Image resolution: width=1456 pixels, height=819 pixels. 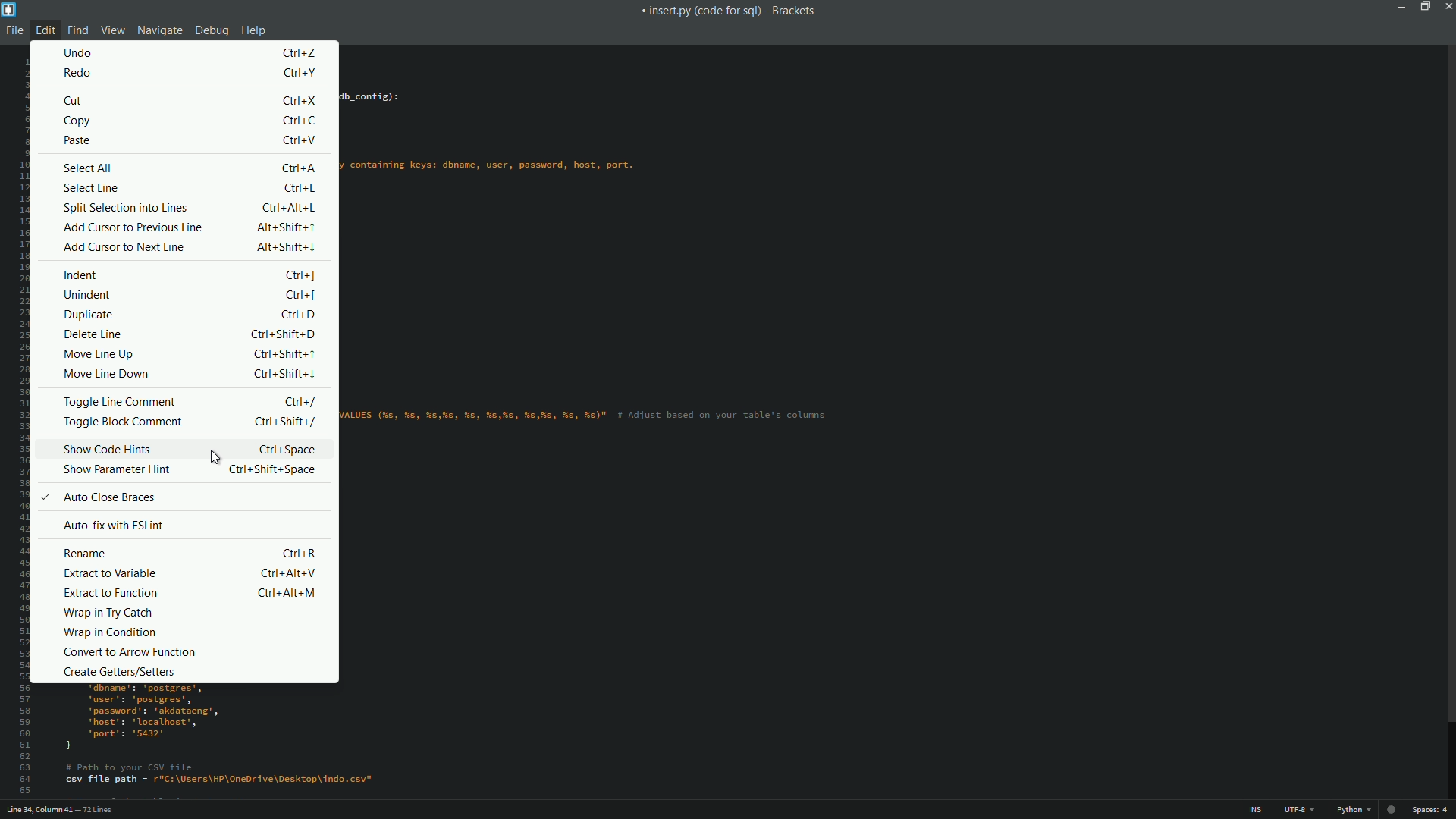 I want to click on minimize, so click(x=1402, y=6).